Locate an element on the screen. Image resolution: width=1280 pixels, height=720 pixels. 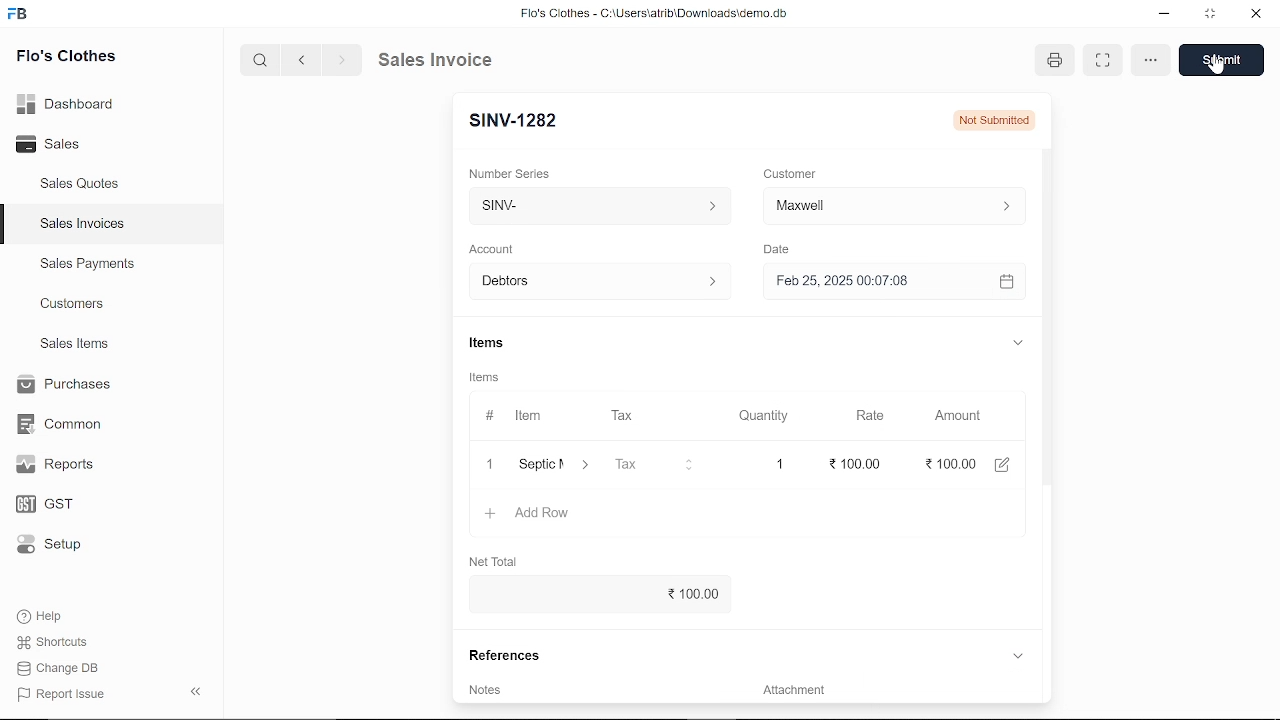
Tax is located at coordinates (634, 464).